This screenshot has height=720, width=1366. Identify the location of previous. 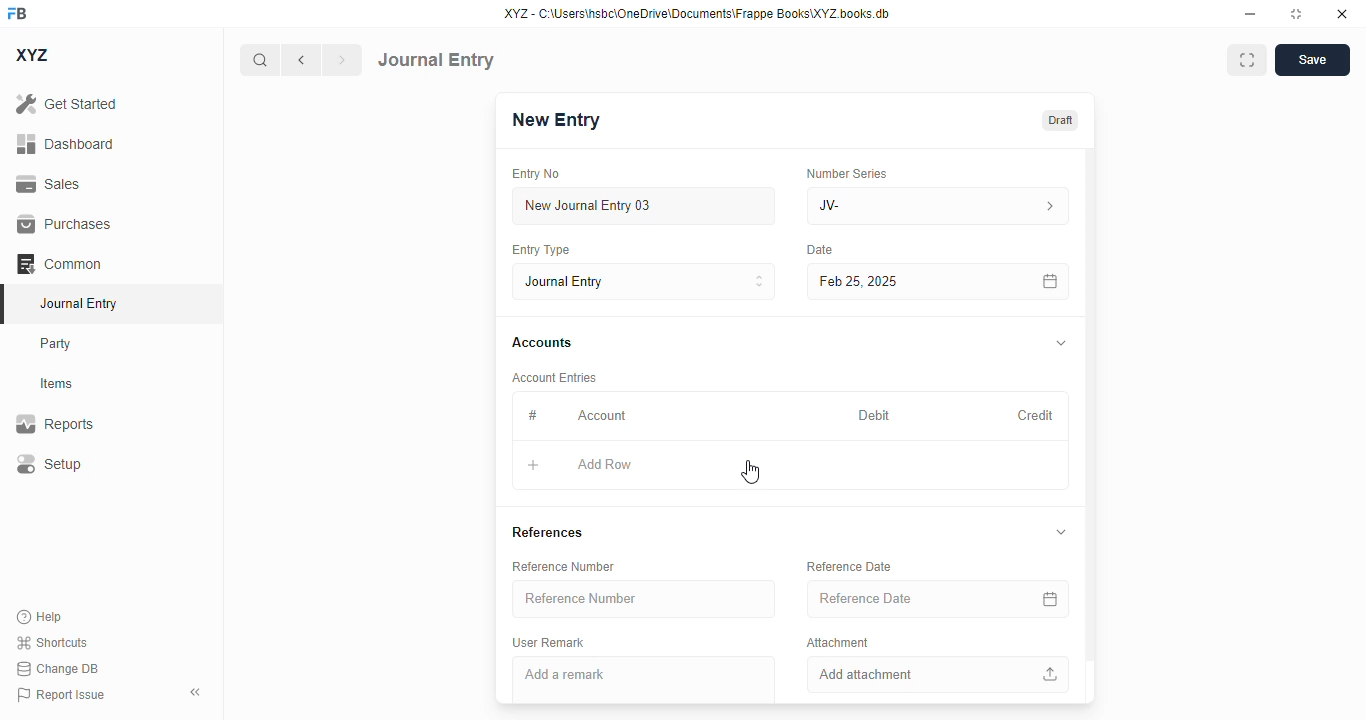
(301, 60).